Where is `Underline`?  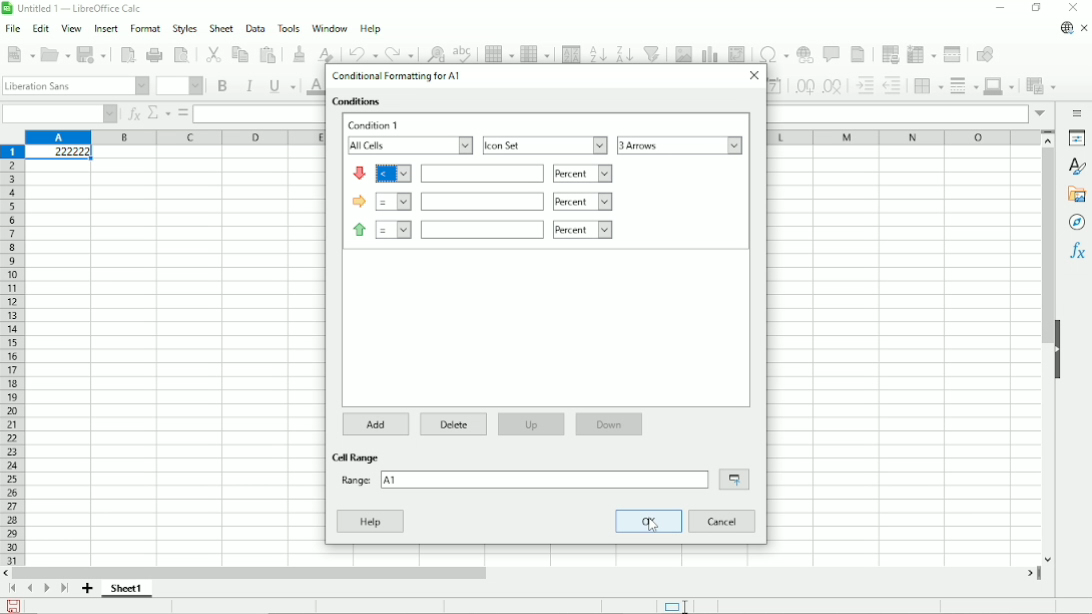
Underline is located at coordinates (282, 86).